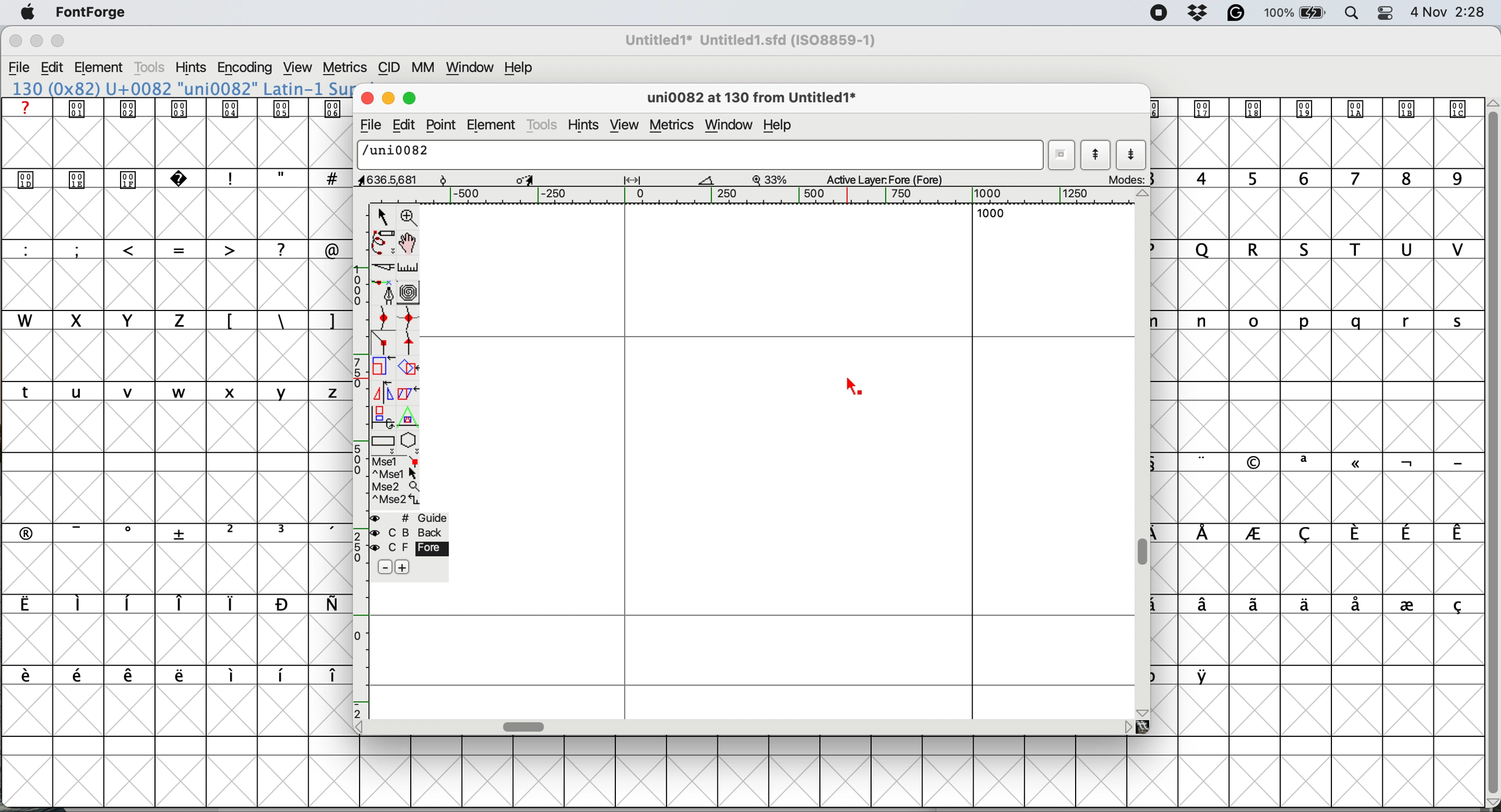  I want to click on symbols, so click(1331, 463).